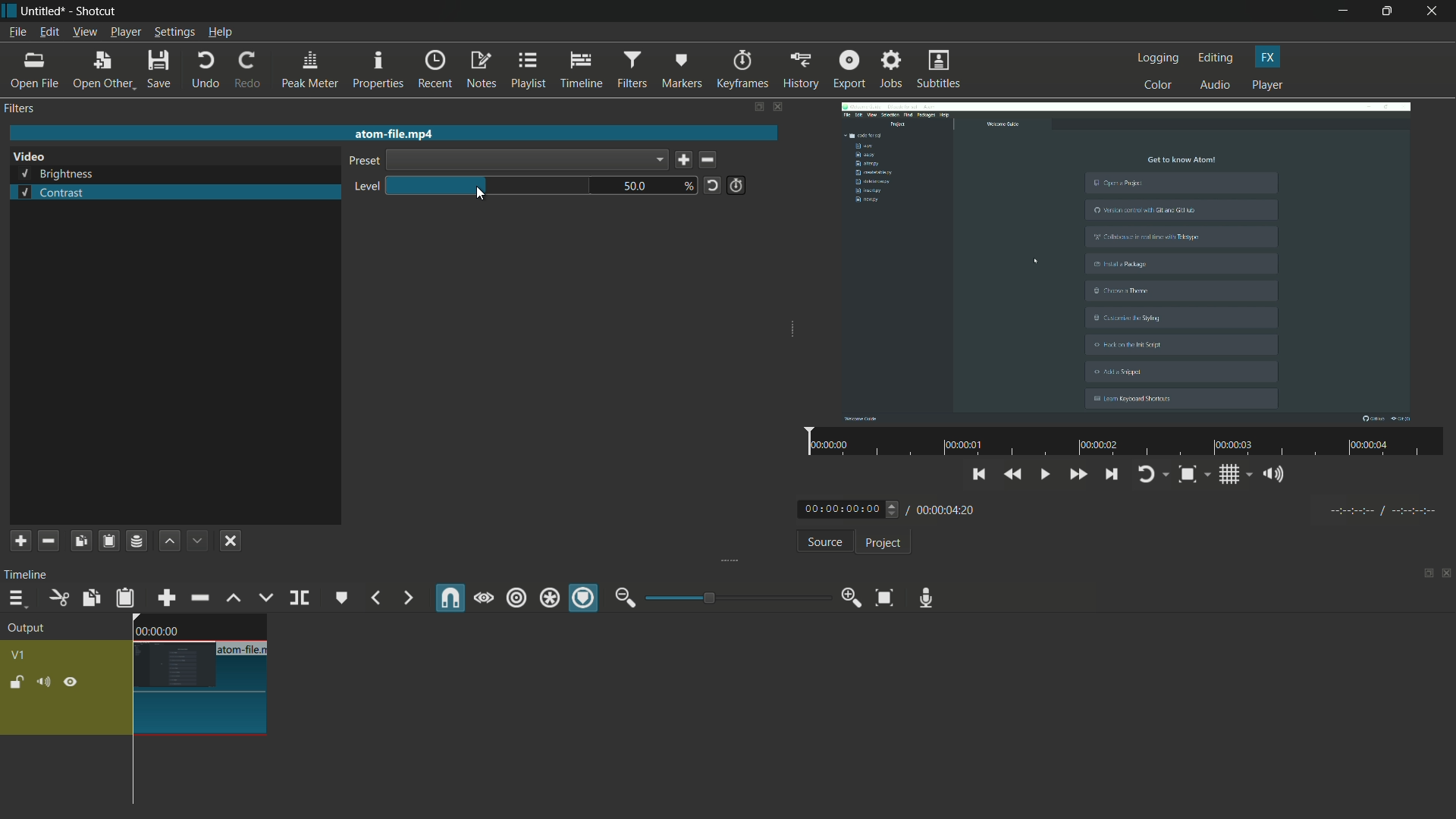 The height and width of the screenshot is (819, 1456). Describe the element at coordinates (1131, 259) in the screenshot. I see `video` at that location.